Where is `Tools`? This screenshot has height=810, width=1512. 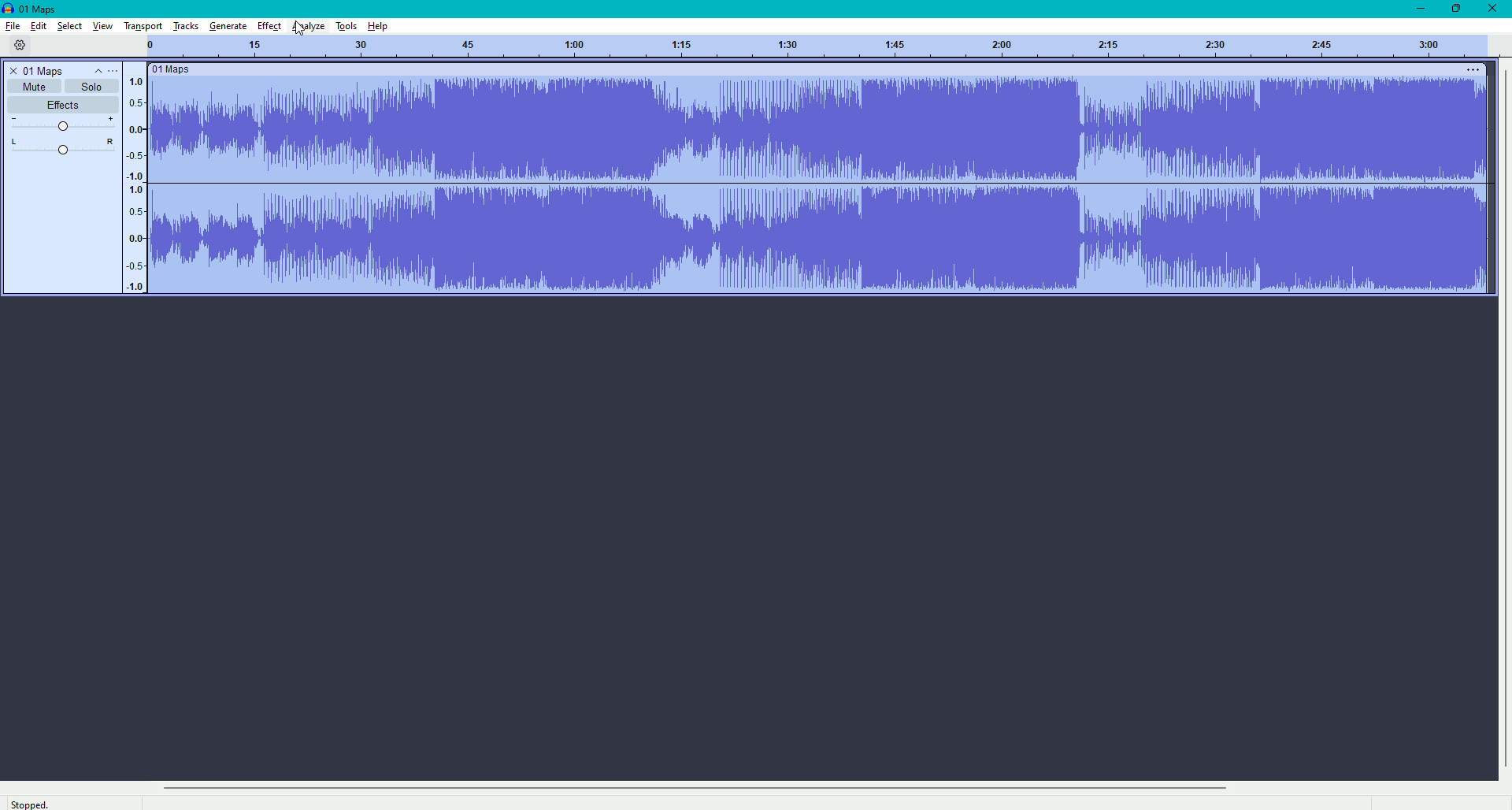 Tools is located at coordinates (344, 26).